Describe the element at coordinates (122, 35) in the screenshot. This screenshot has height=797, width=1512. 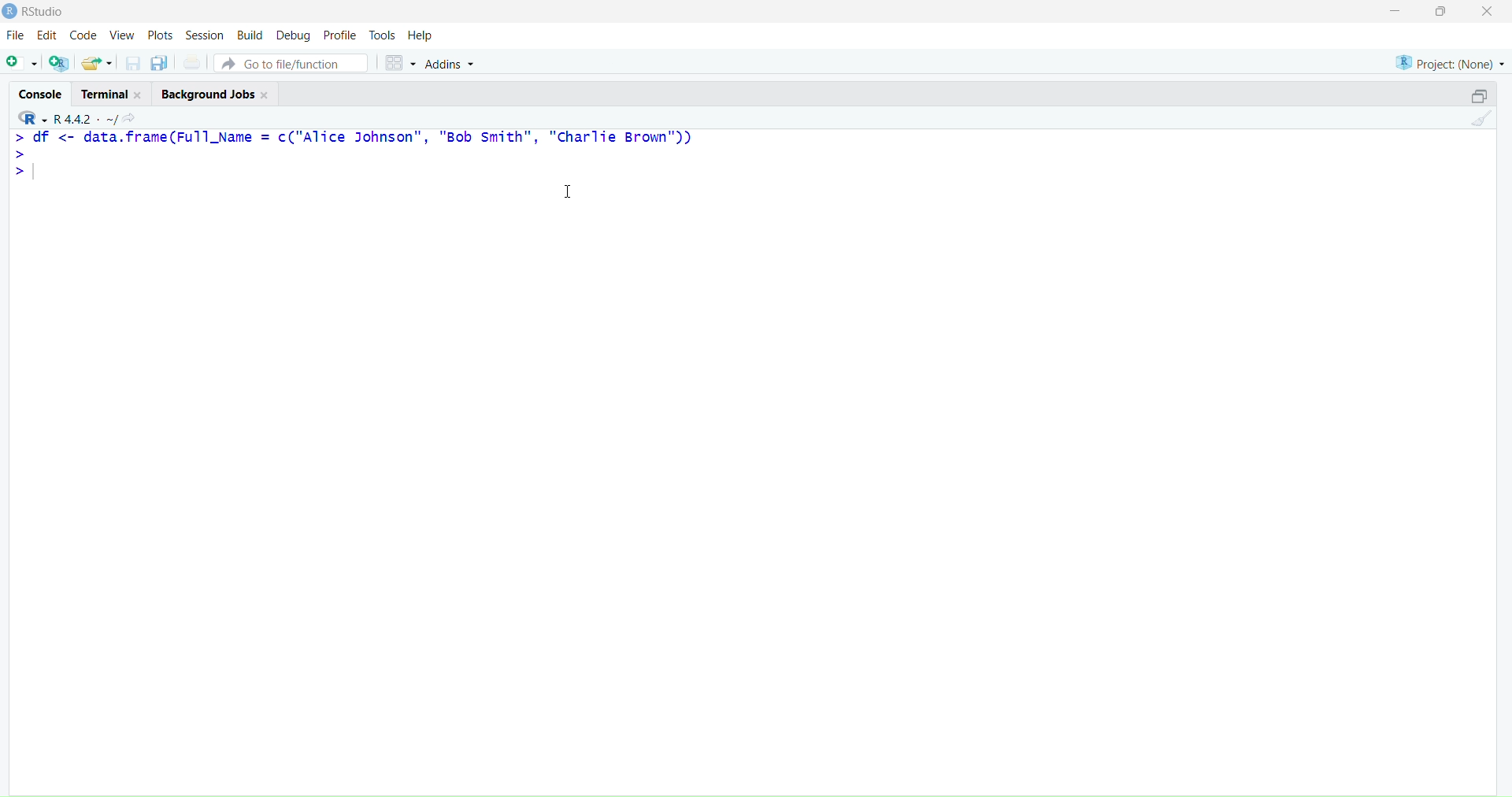
I see `View` at that location.